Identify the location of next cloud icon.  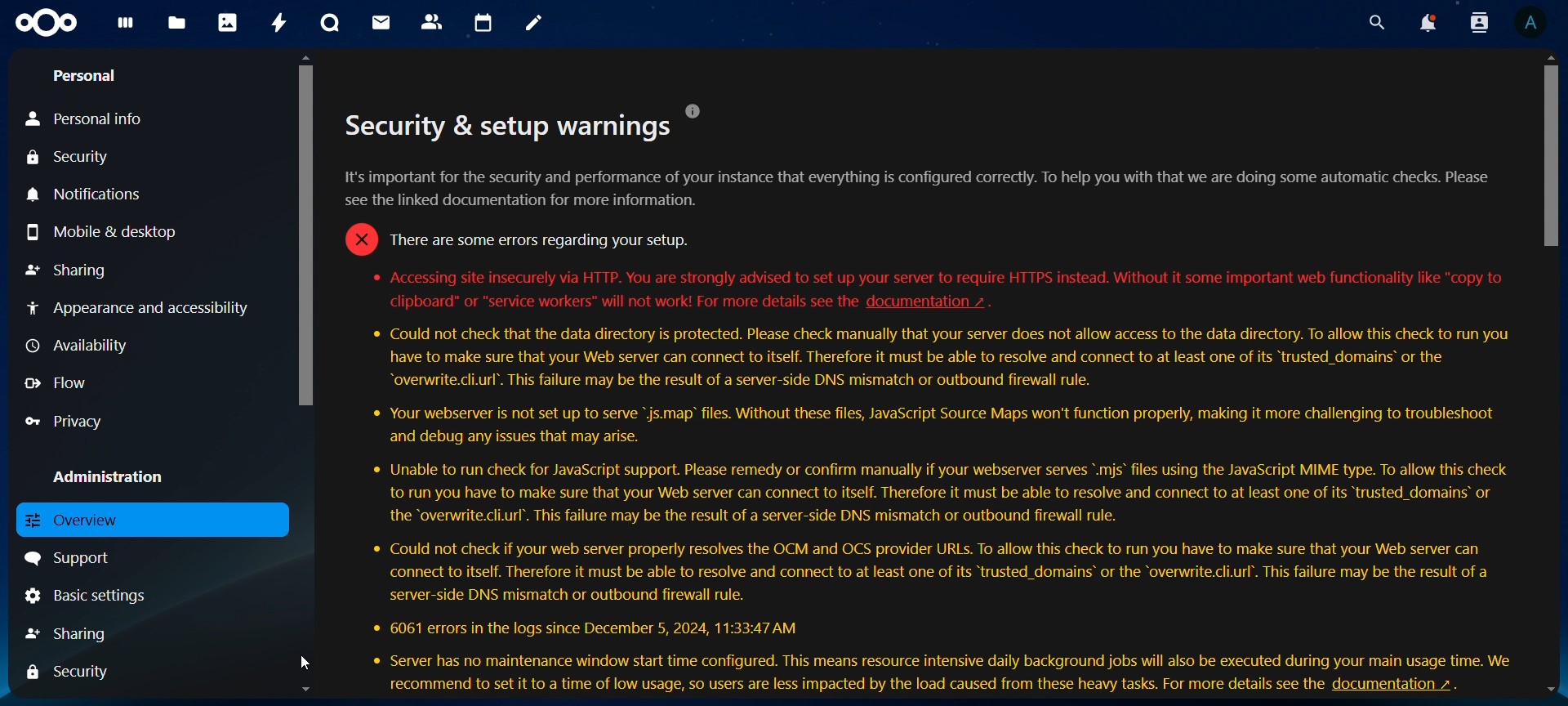
(47, 24).